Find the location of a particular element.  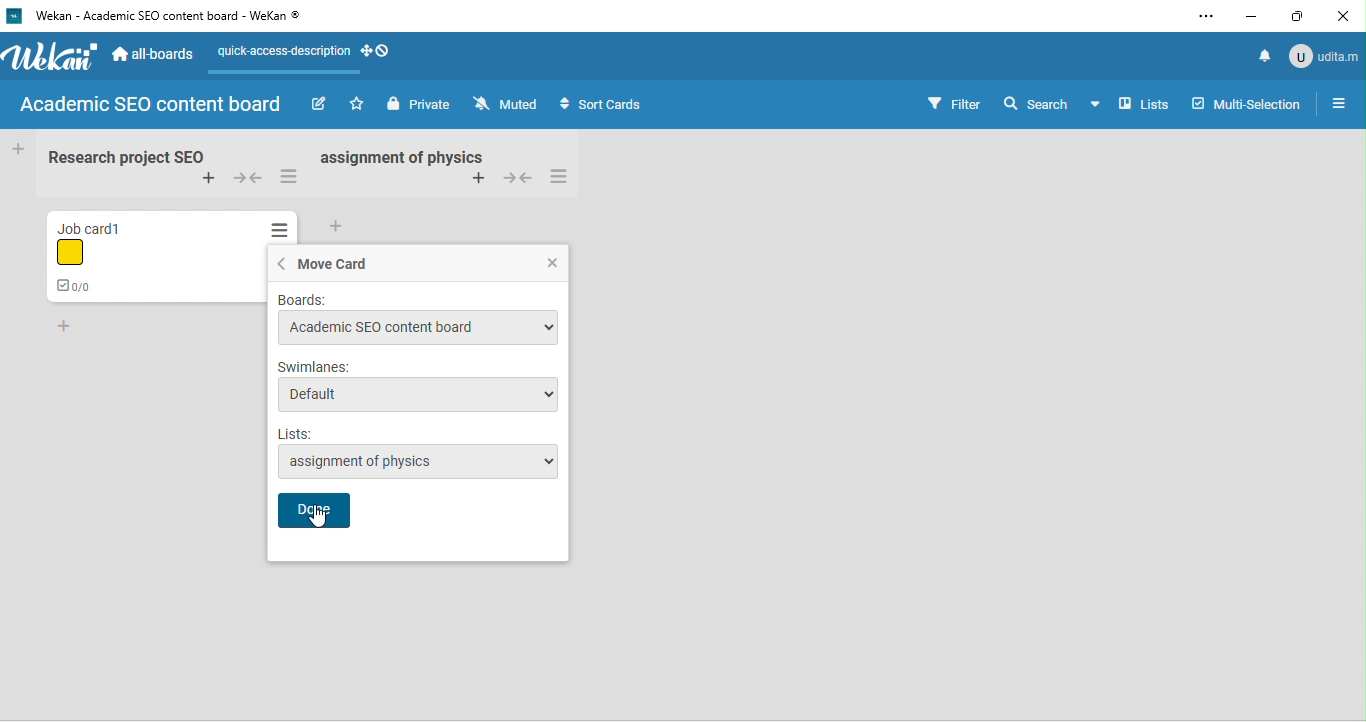

edit is located at coordinates (321, 104).